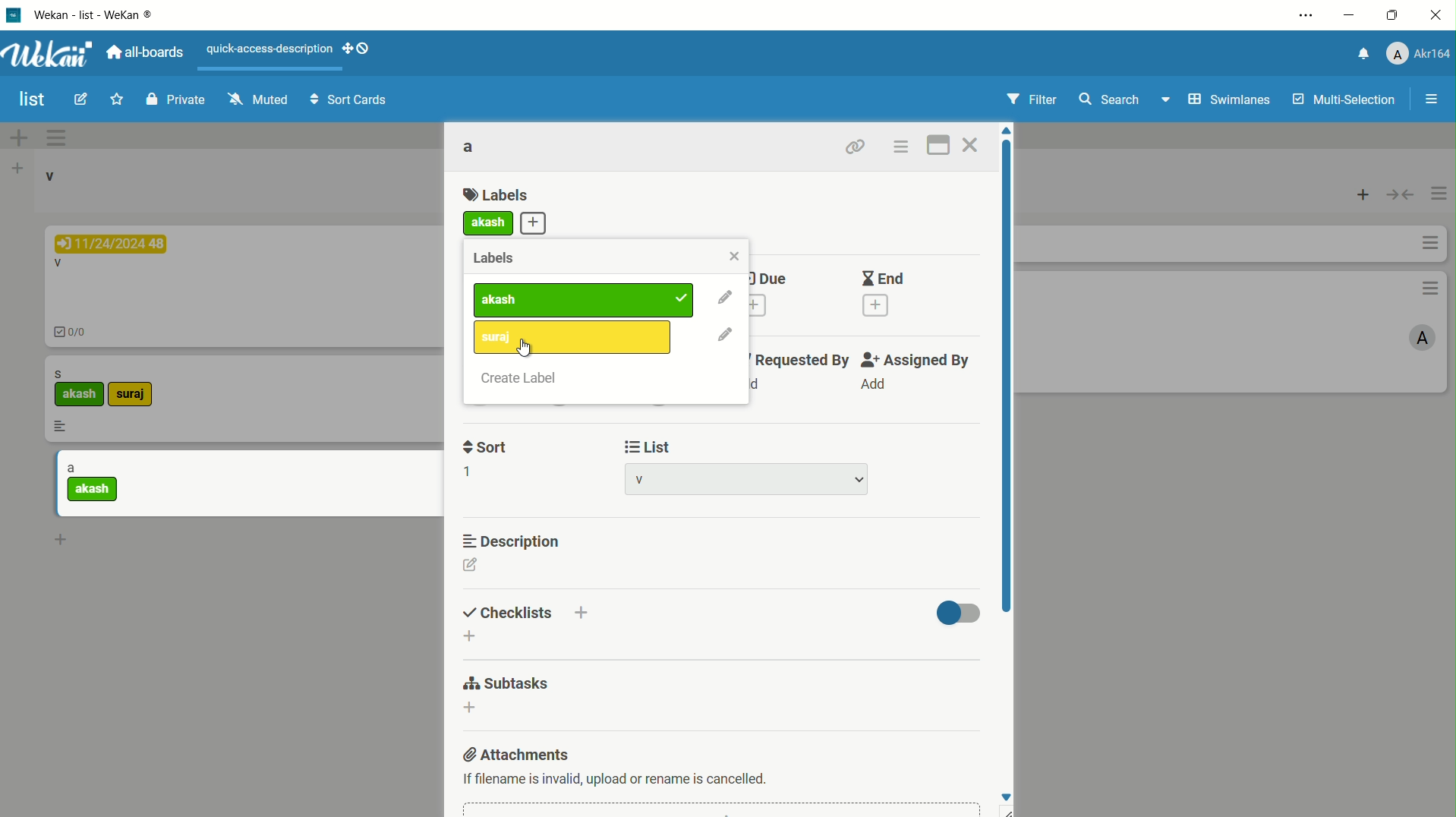 The height and width of the screenshot is (817, 1456). Describe the element at coordinates (1006, 794) in the screenshot. I see `move down` at that location.